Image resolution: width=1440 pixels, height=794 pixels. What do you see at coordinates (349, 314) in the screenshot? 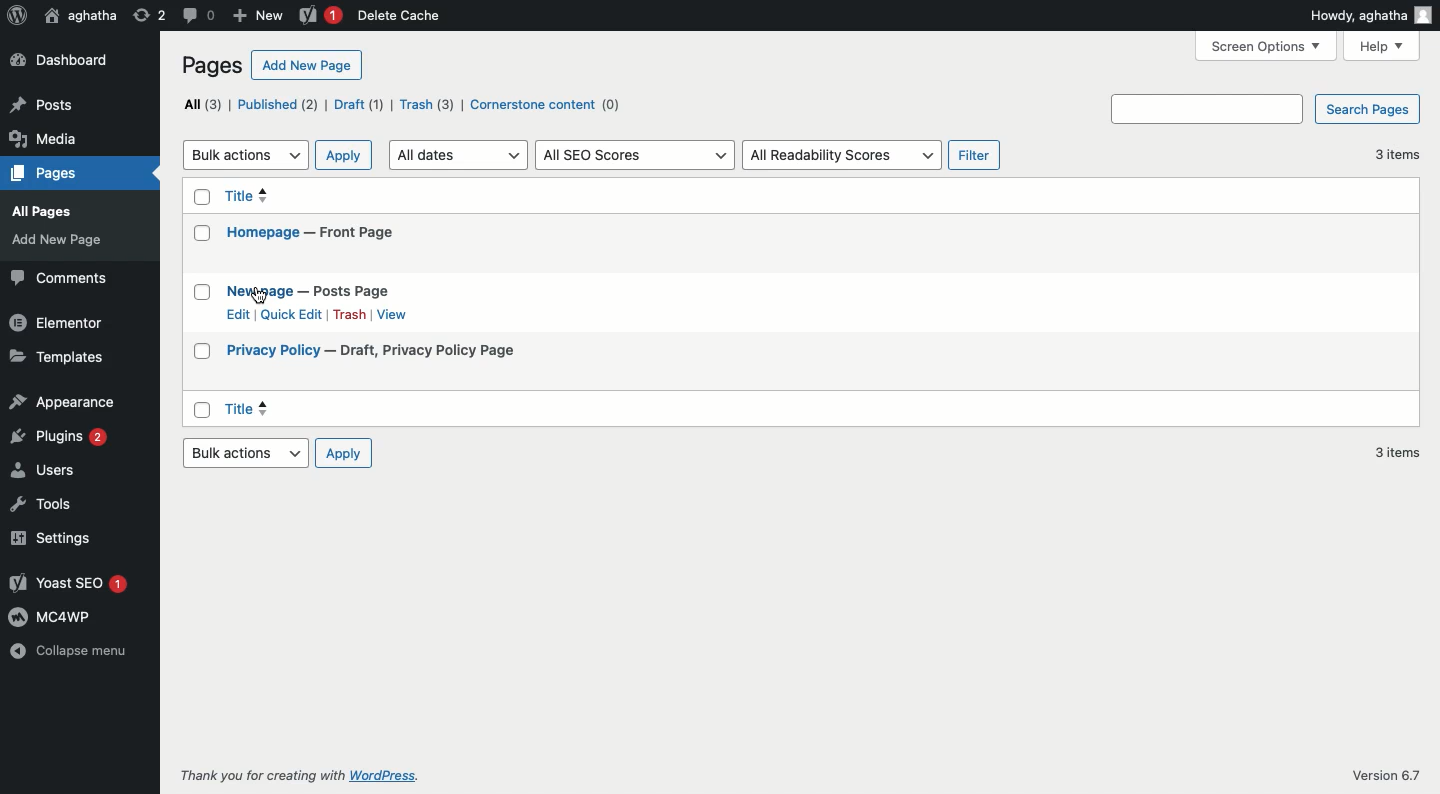
I see `Trash` at bounding box center [349, 314].